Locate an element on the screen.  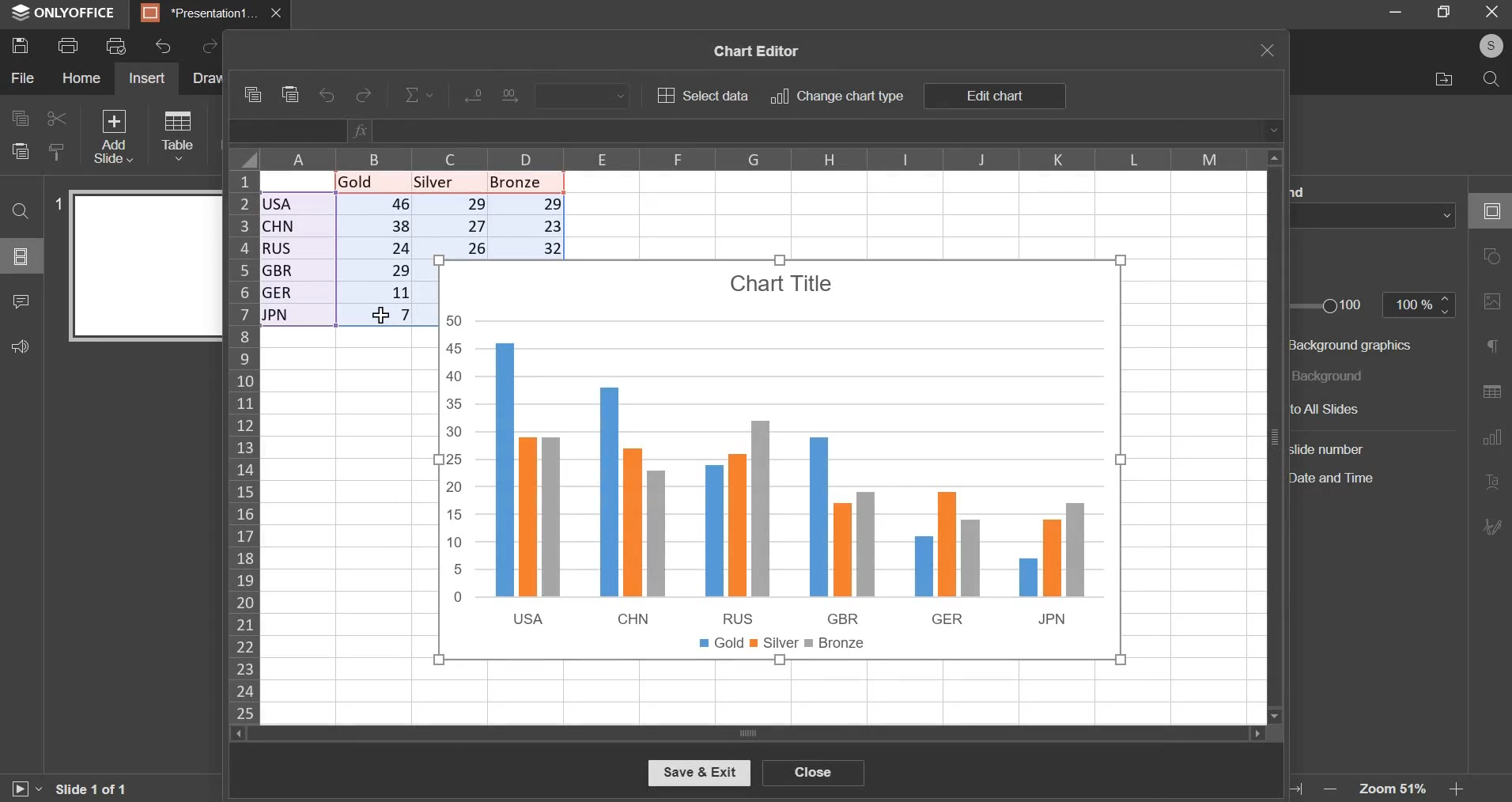
table is located at coordinates (176, 134).